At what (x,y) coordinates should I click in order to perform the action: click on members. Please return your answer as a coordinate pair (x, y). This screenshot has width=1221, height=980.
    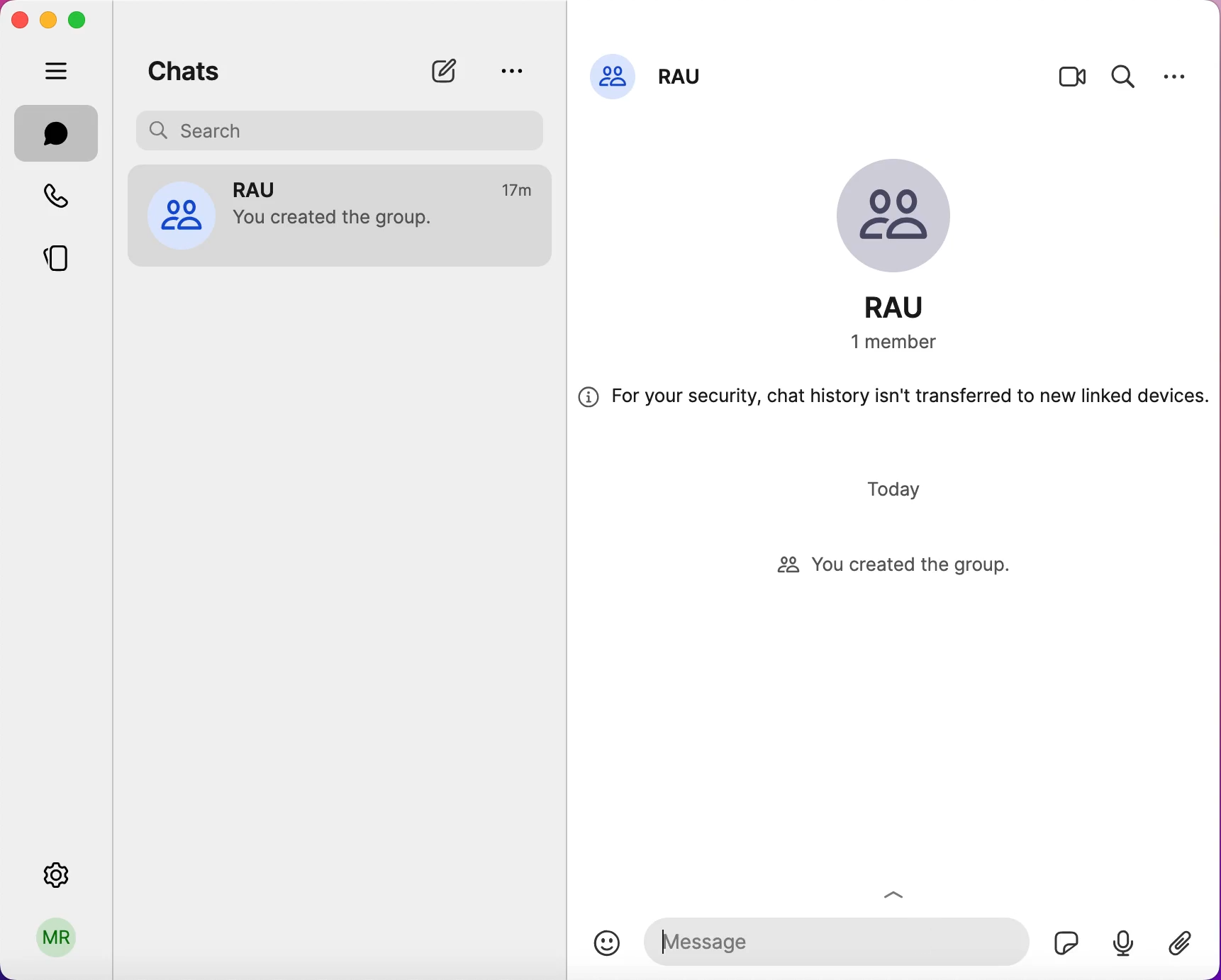
    Looking at the image, I should click on (910, 343).